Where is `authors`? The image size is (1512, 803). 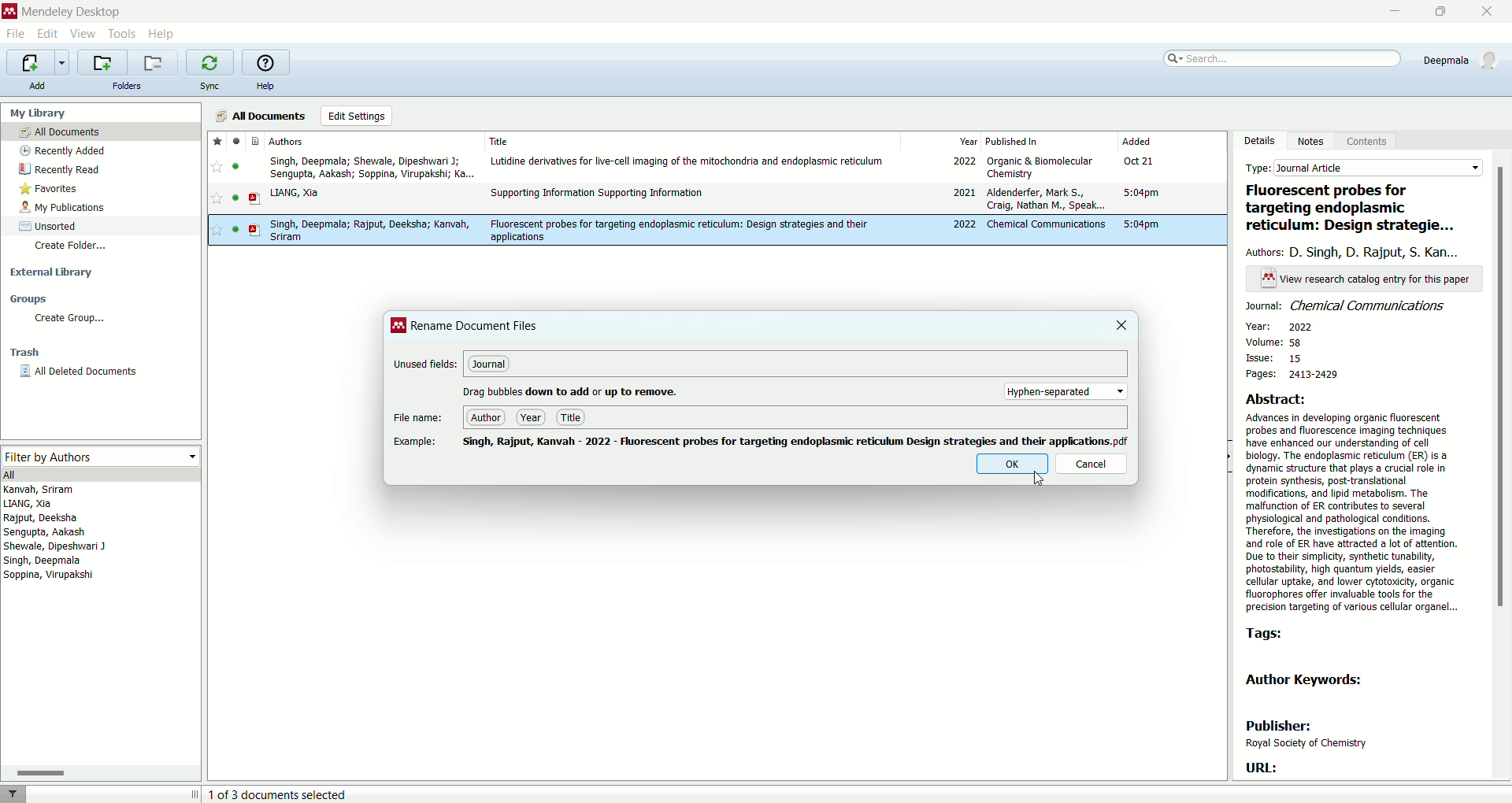 authors is located at coordinates (298, 142).